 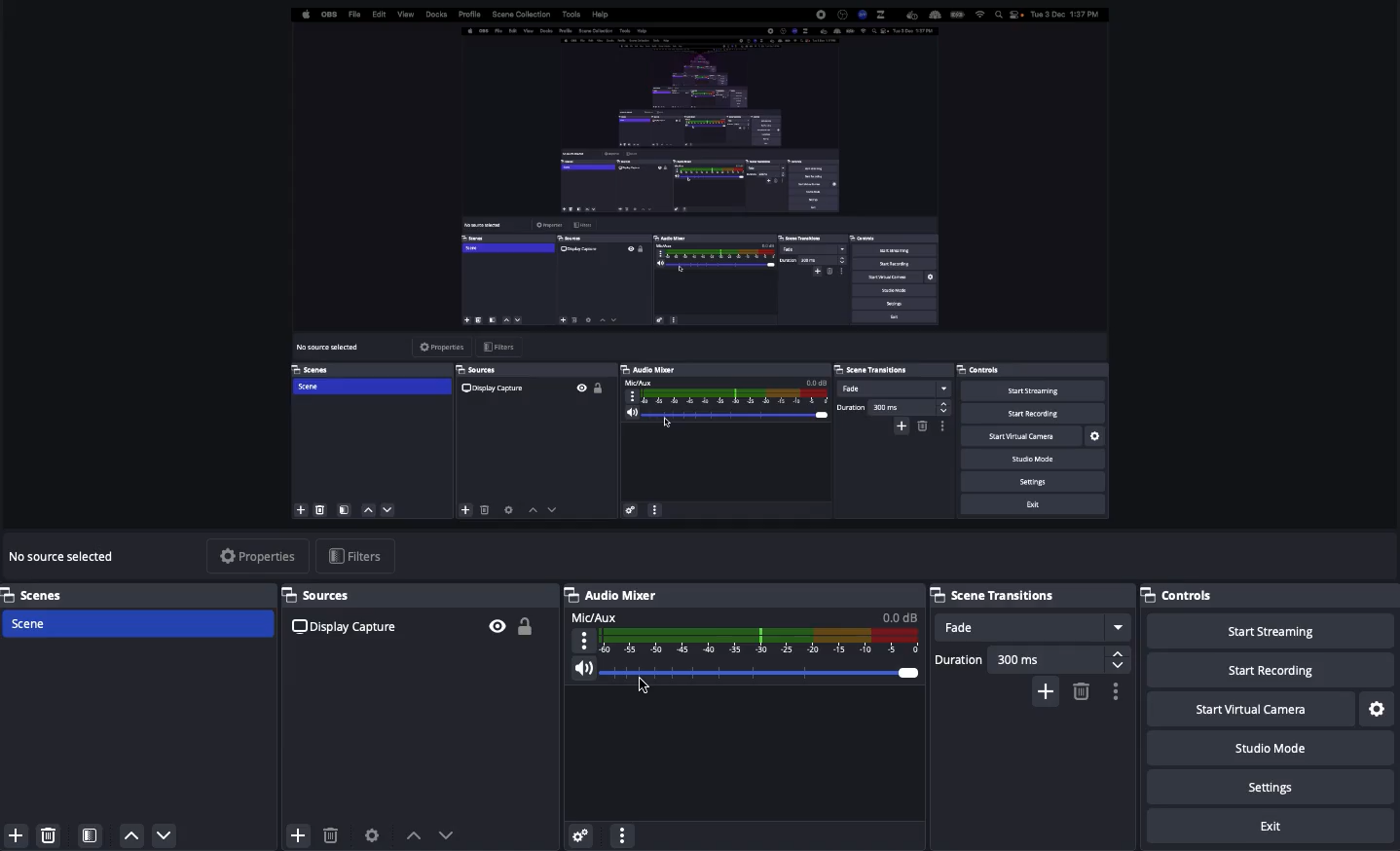 What do you see at coordinates (330, 835) in the screenshot?
I see `Delete` at bounding box center [330, 835].